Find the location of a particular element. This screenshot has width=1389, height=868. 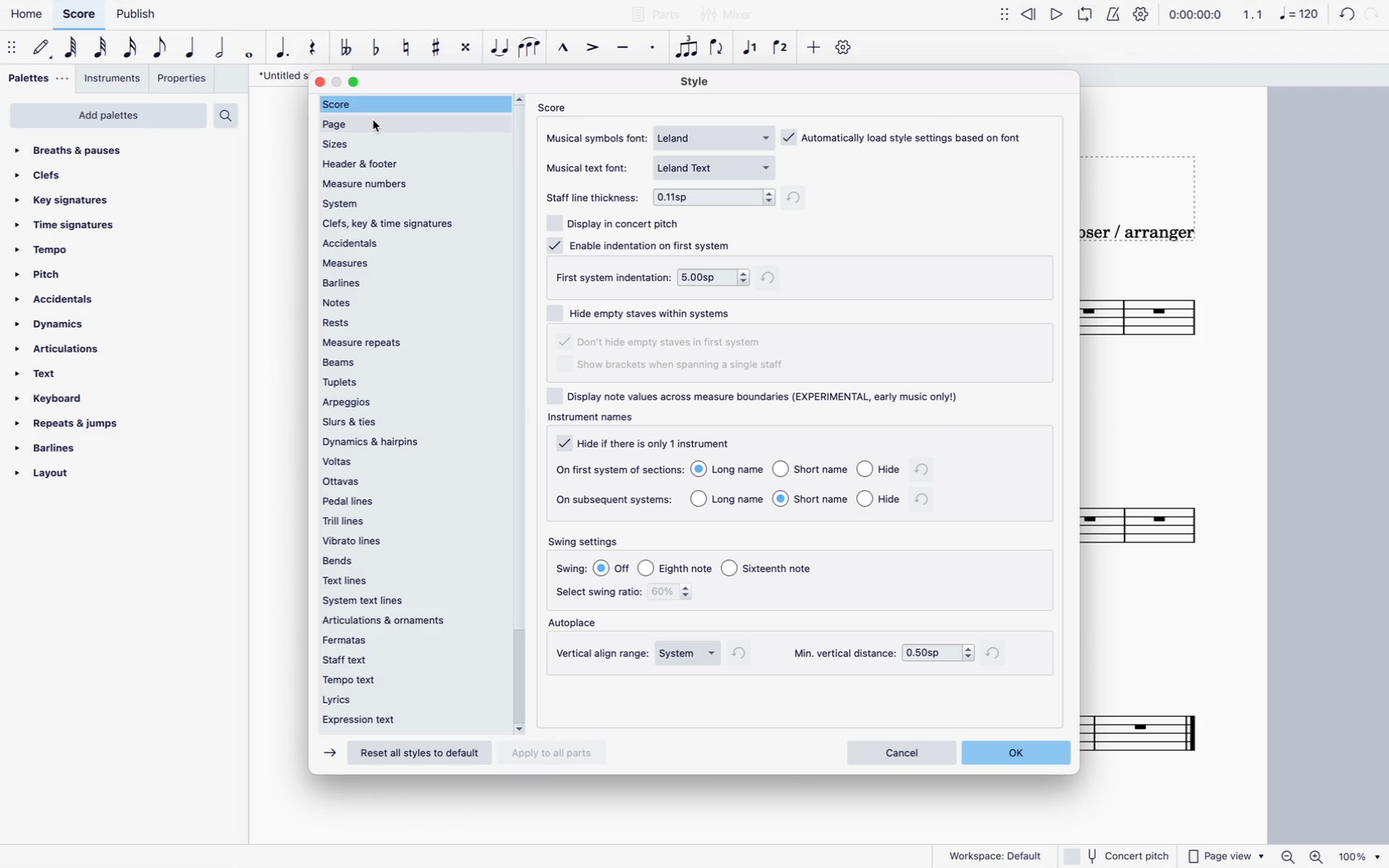

slurs & ties is located at coordinates (408, 422).